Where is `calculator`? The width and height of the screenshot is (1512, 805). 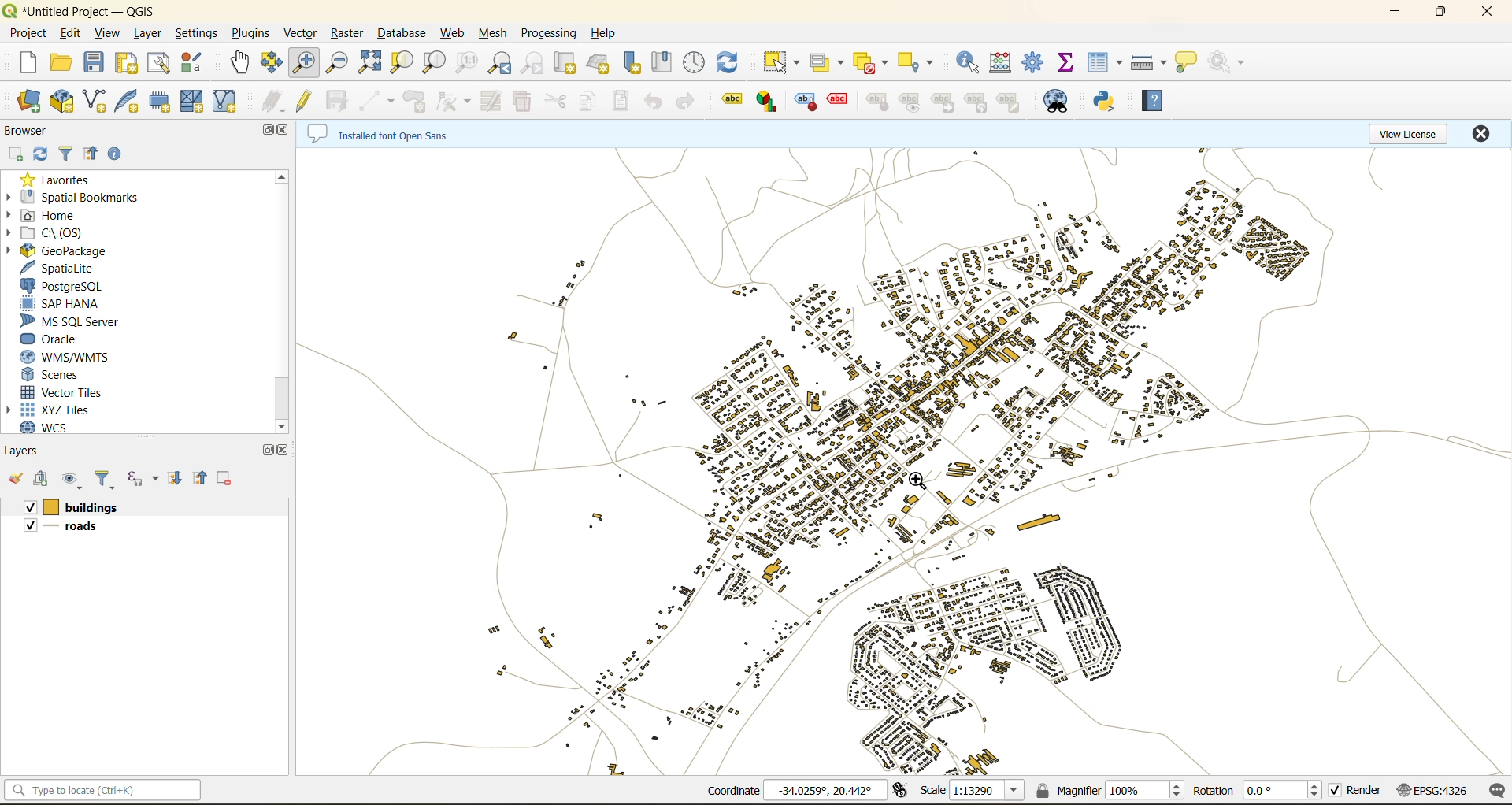 calculator is located at coordinates (1002, 62).